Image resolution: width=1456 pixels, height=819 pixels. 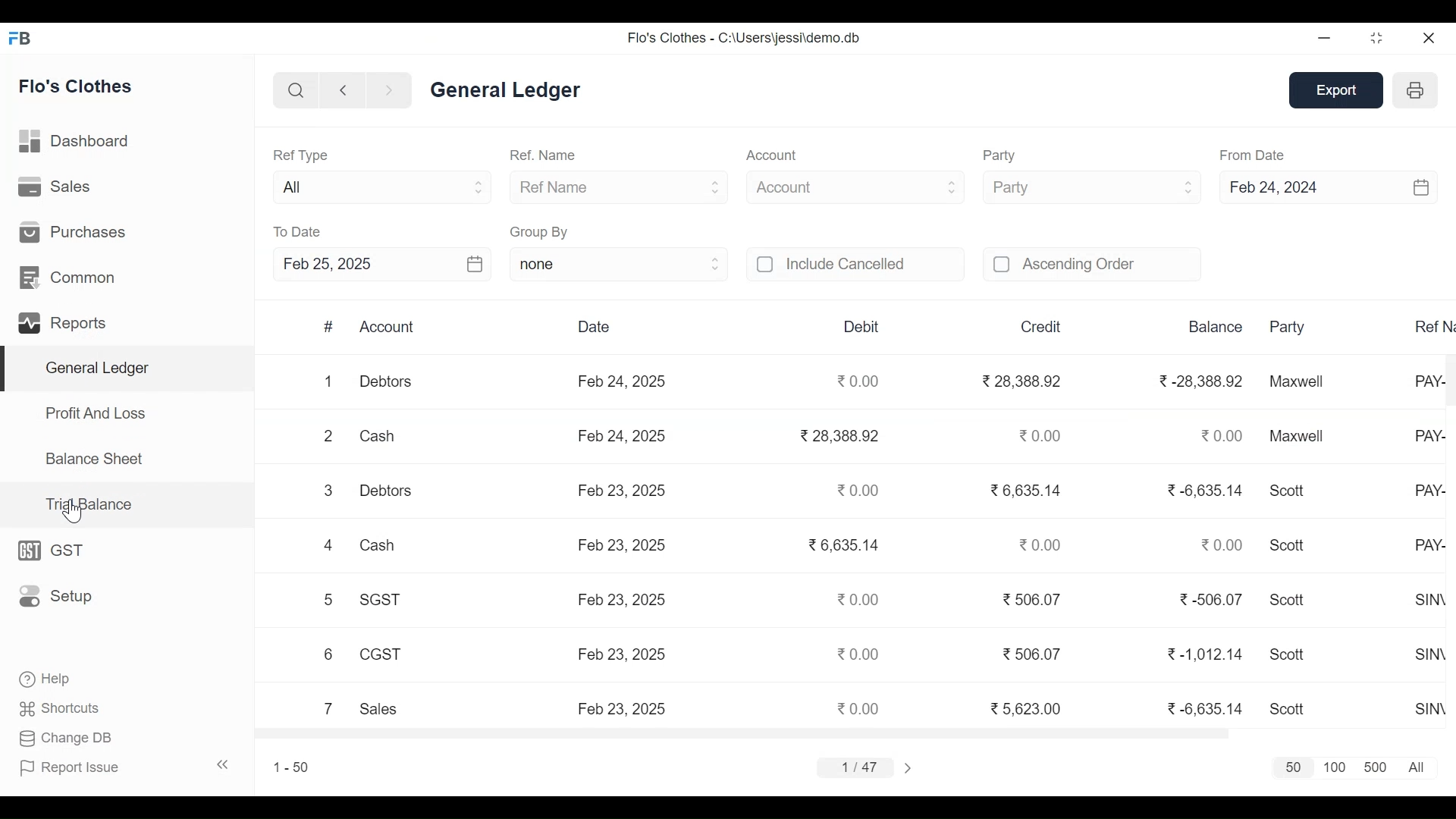 What do you see at coordinates (328, 654) in the screenshot?
I see `6` at bounding box center [328, 654].